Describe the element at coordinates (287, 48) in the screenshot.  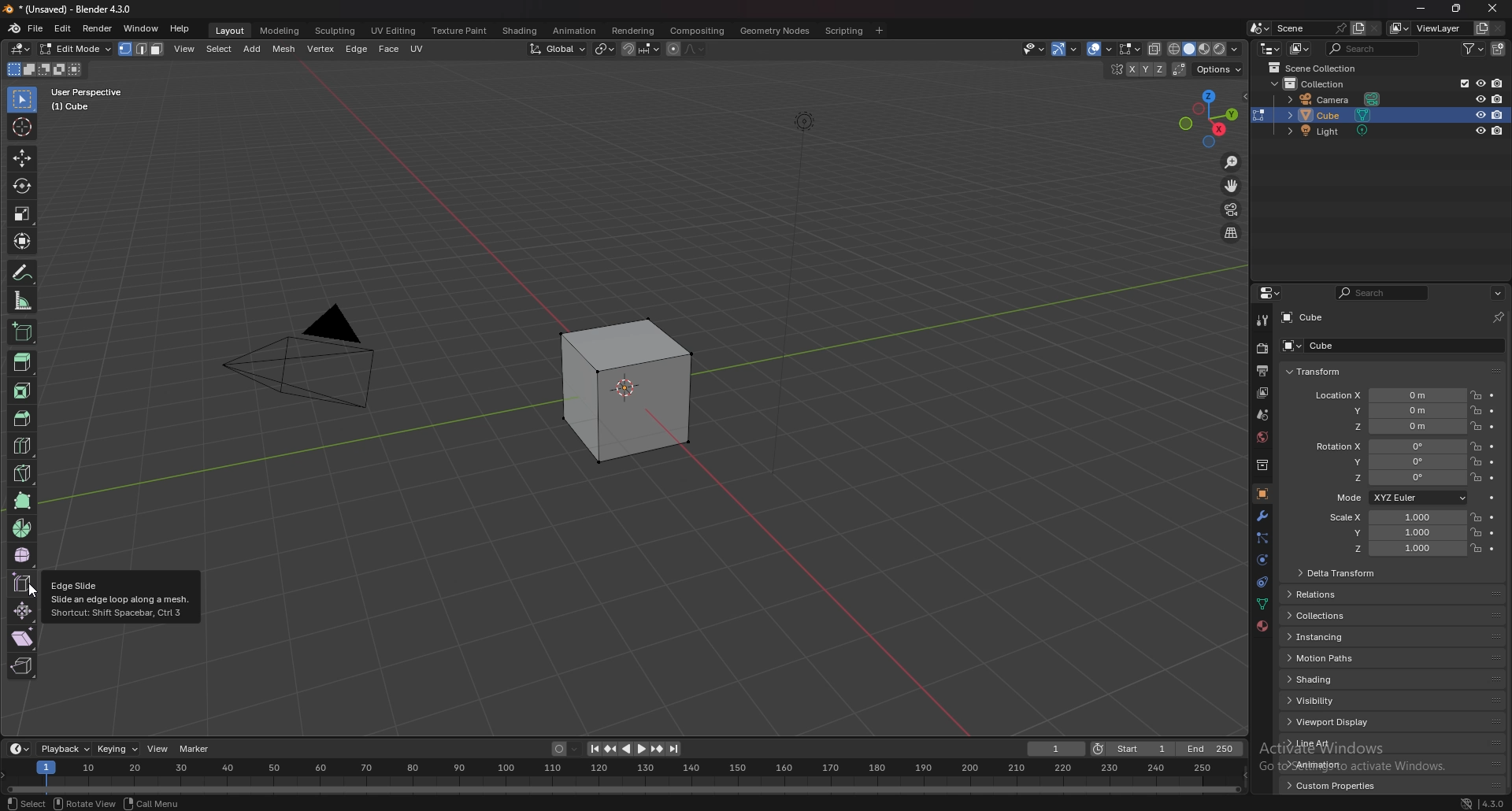
I see `Mesh` at that location.